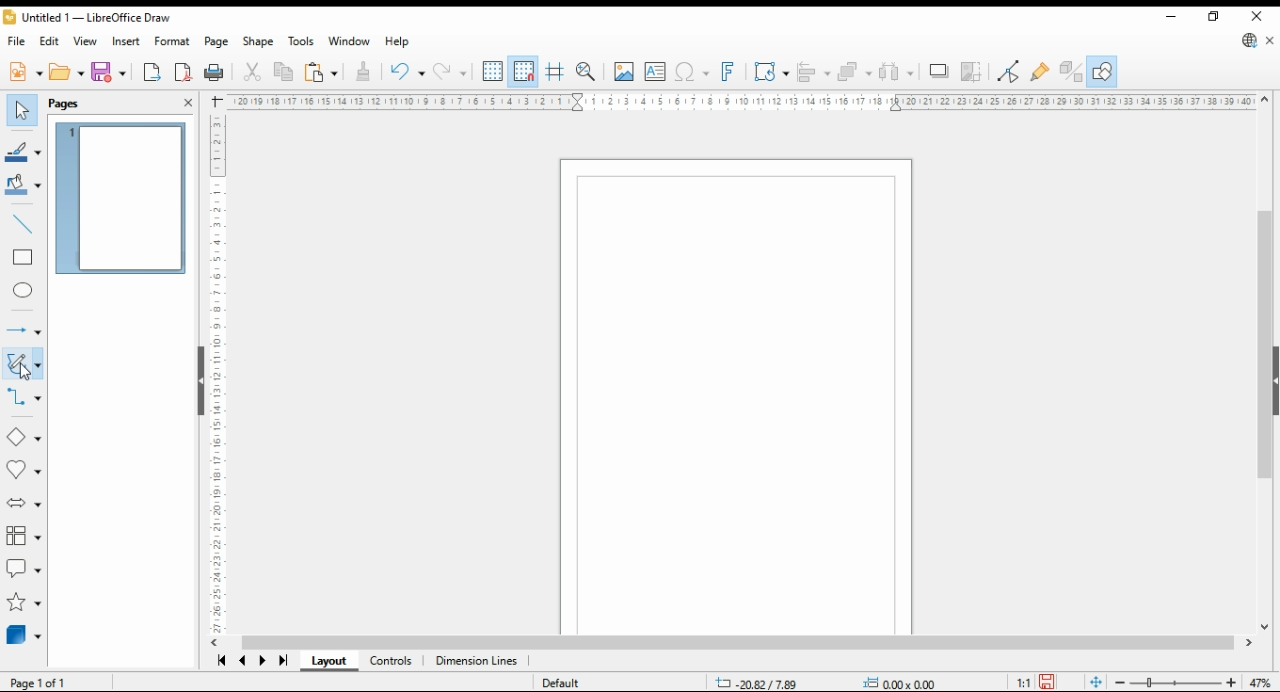  Describe the element at coordinates (68, 104) in the screenshot. I see `pages` at that location.